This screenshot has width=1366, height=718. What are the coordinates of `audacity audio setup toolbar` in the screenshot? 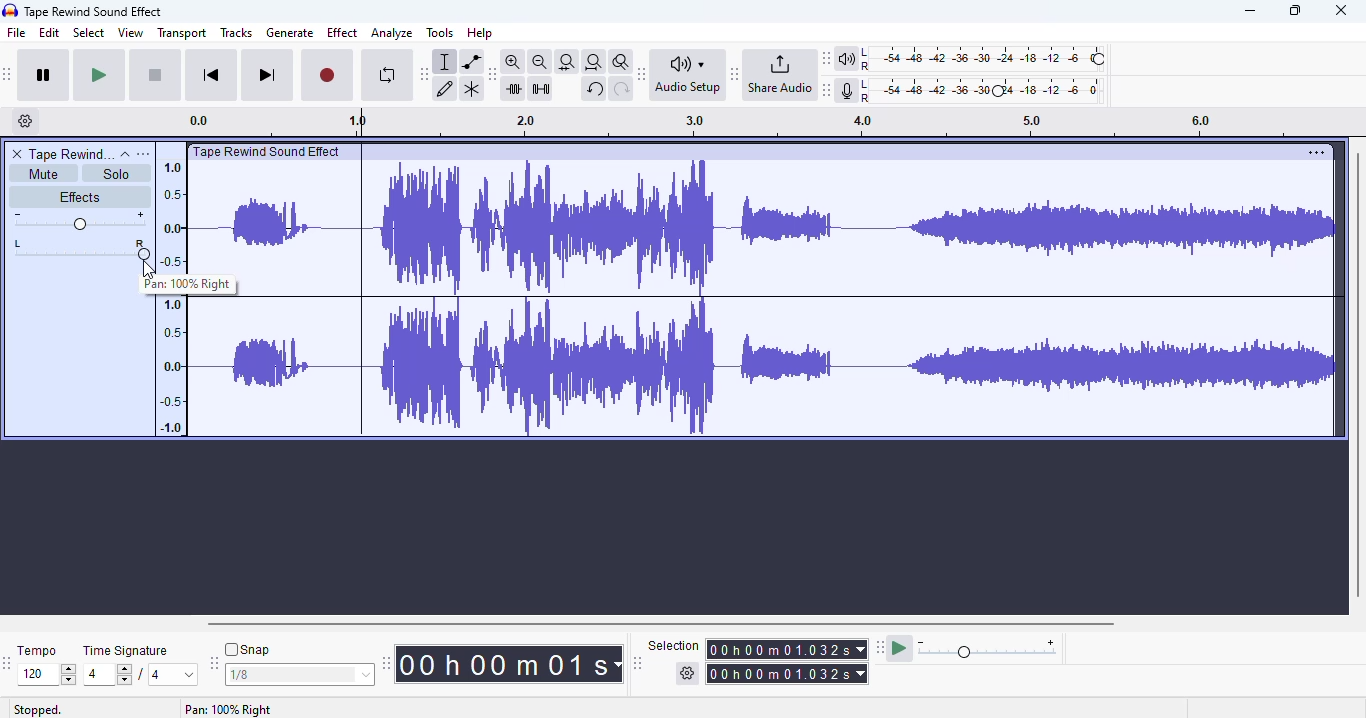 It's located at (642, 74).